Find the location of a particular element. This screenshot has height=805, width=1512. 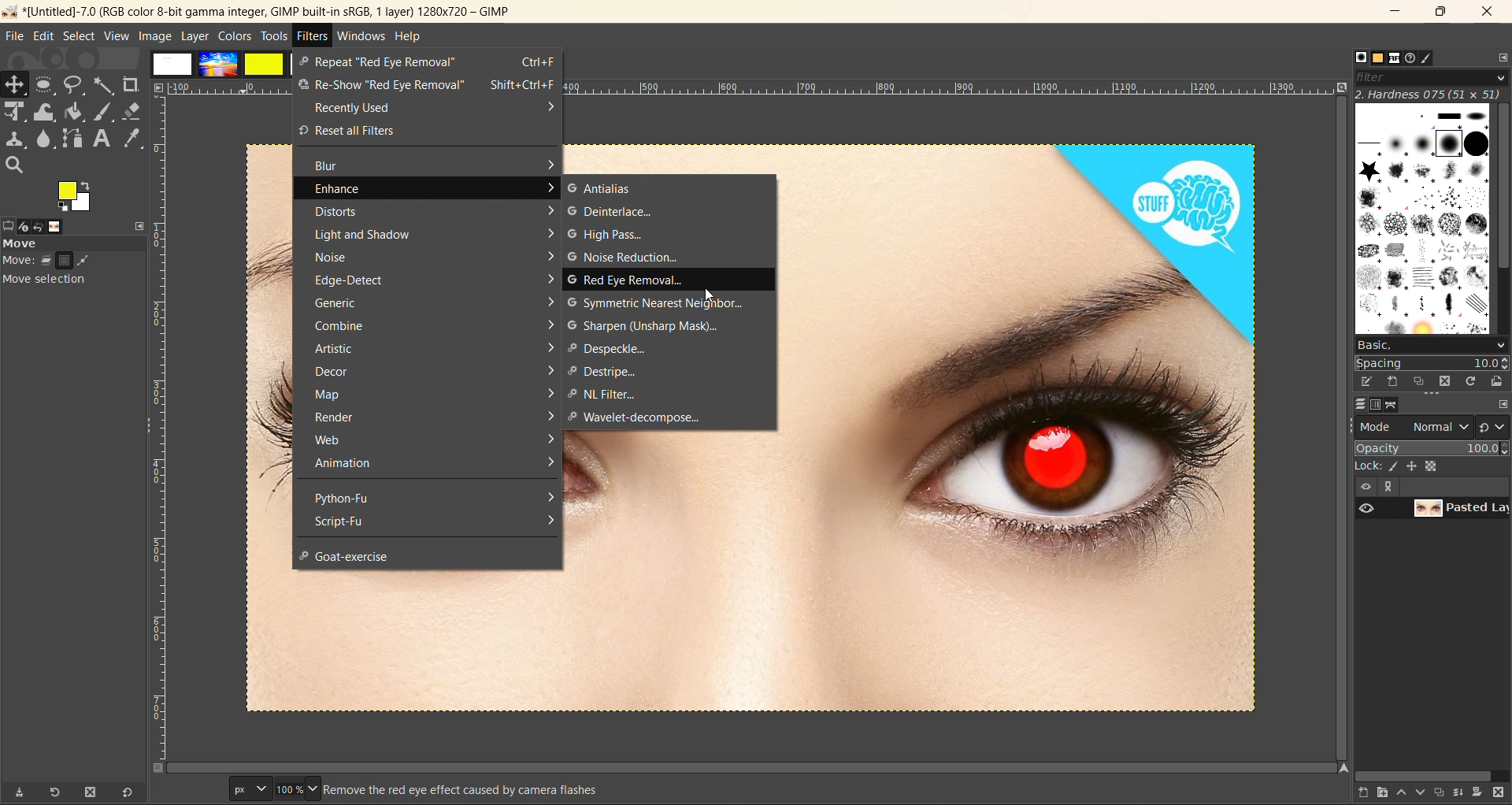

device status, undo history is located at coordinates (33, 227).